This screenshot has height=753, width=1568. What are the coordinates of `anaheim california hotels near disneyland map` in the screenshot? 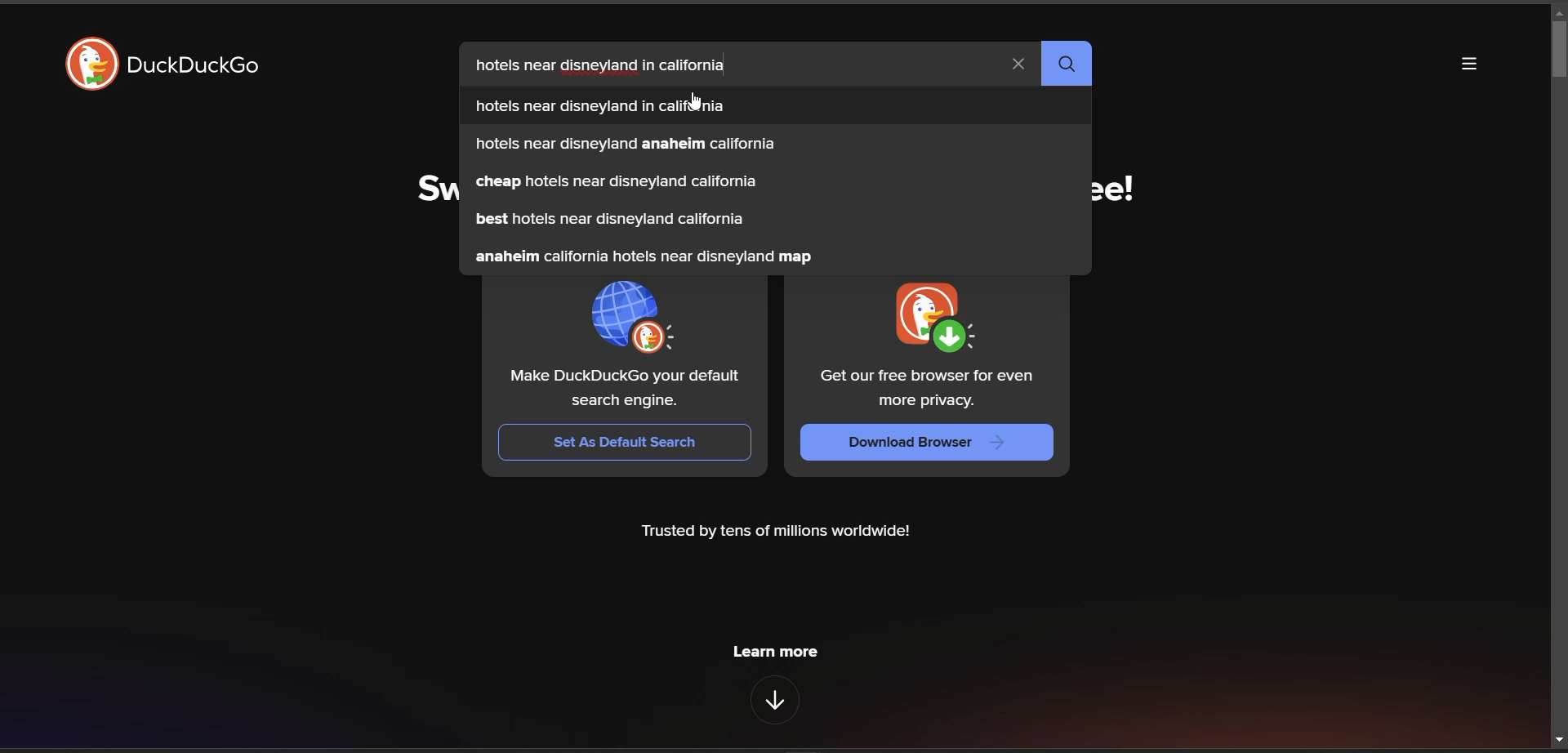 It's located at (644, 256).